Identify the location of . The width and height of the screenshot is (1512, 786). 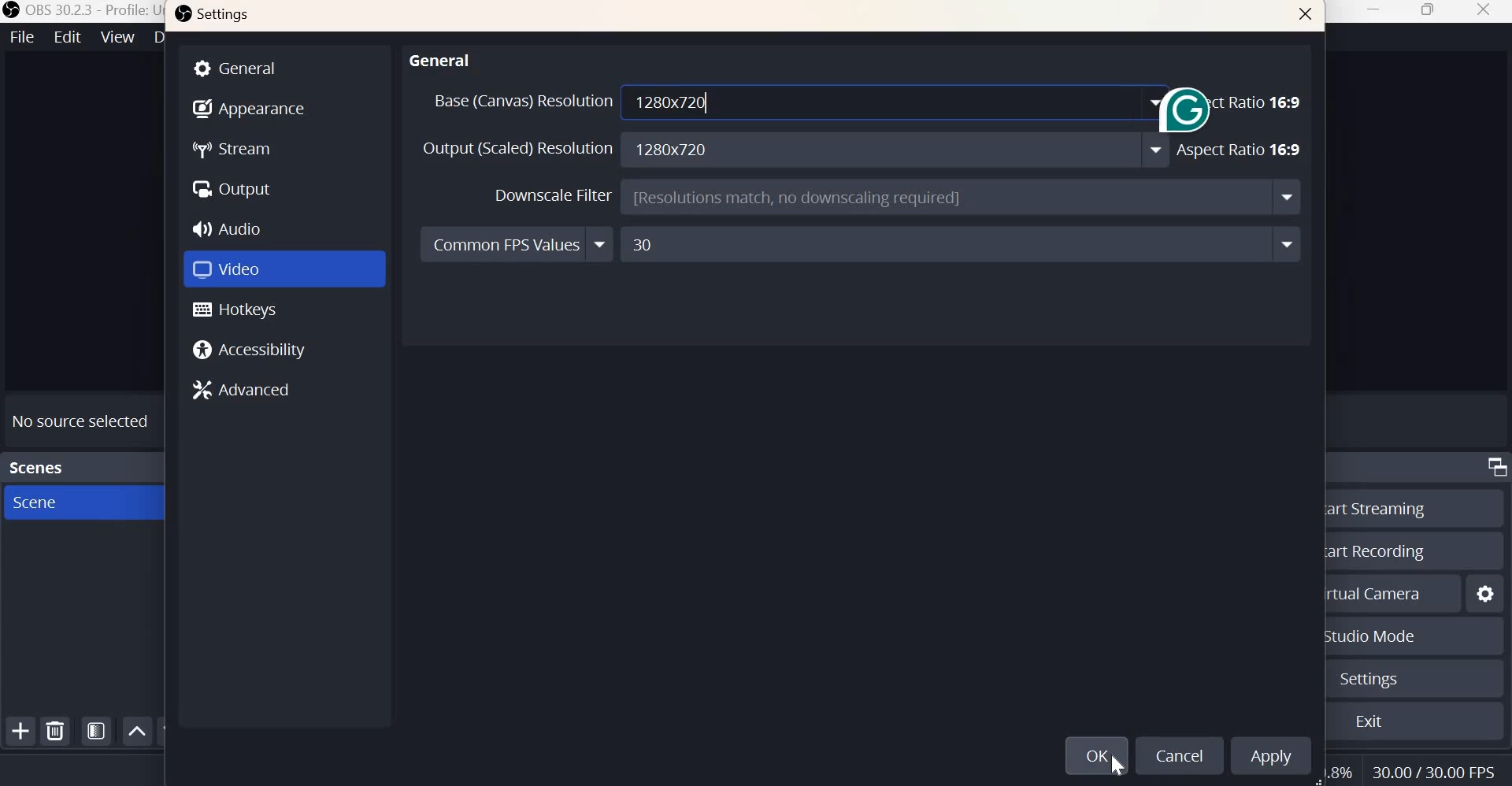
(961, 244).